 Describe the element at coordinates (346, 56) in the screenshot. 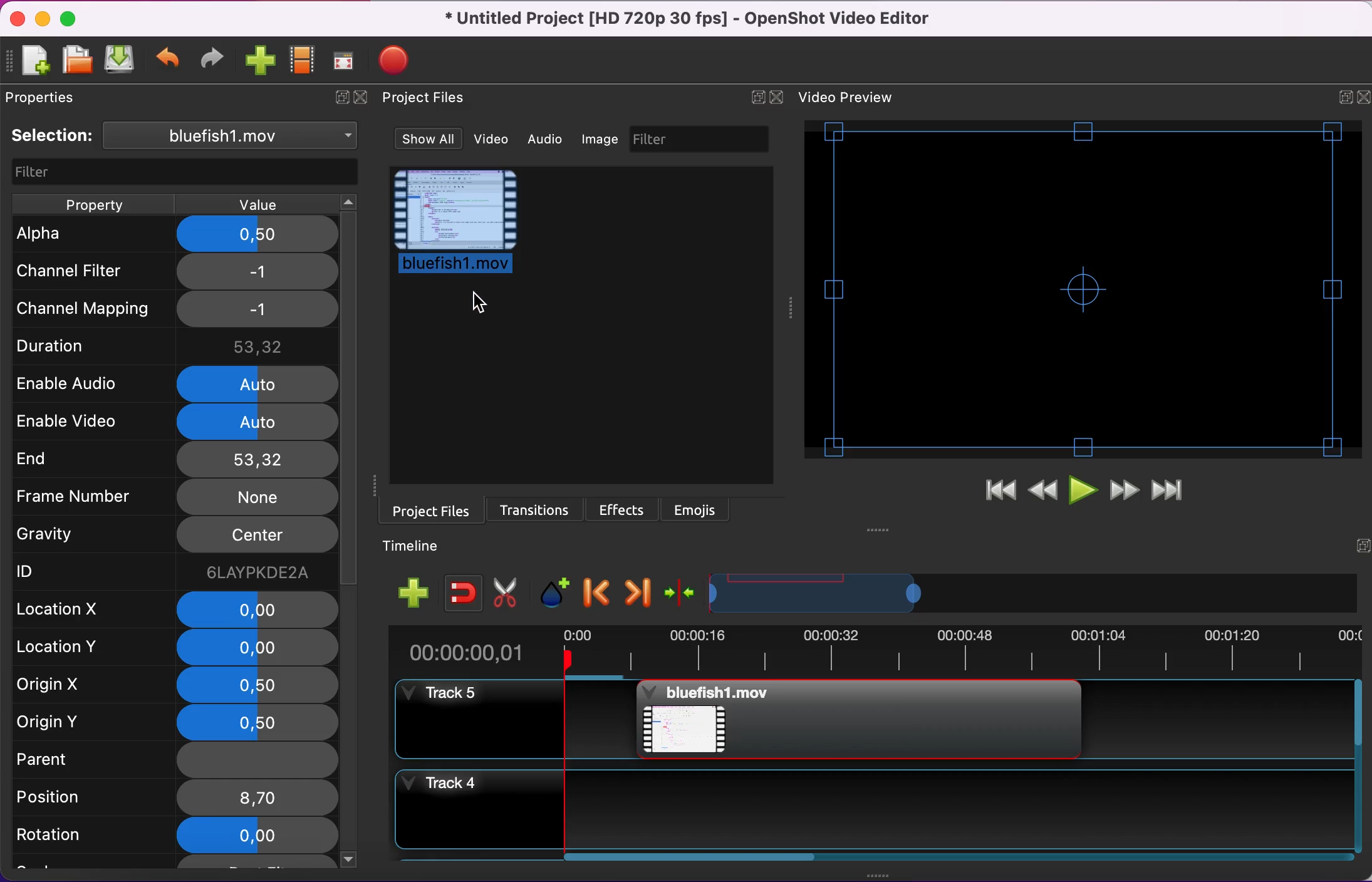

I see `full screen` at that location.